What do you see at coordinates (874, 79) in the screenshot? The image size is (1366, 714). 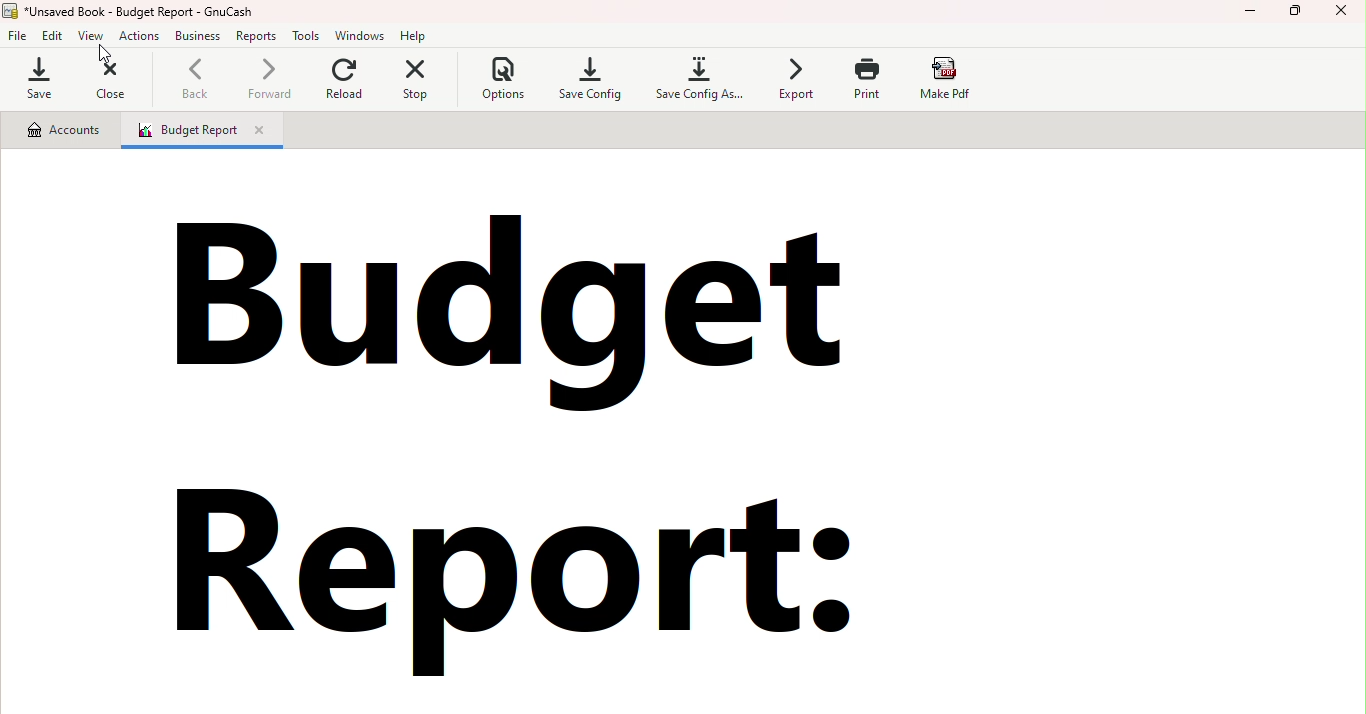 I see `Print` at bounding box center [874, 79].